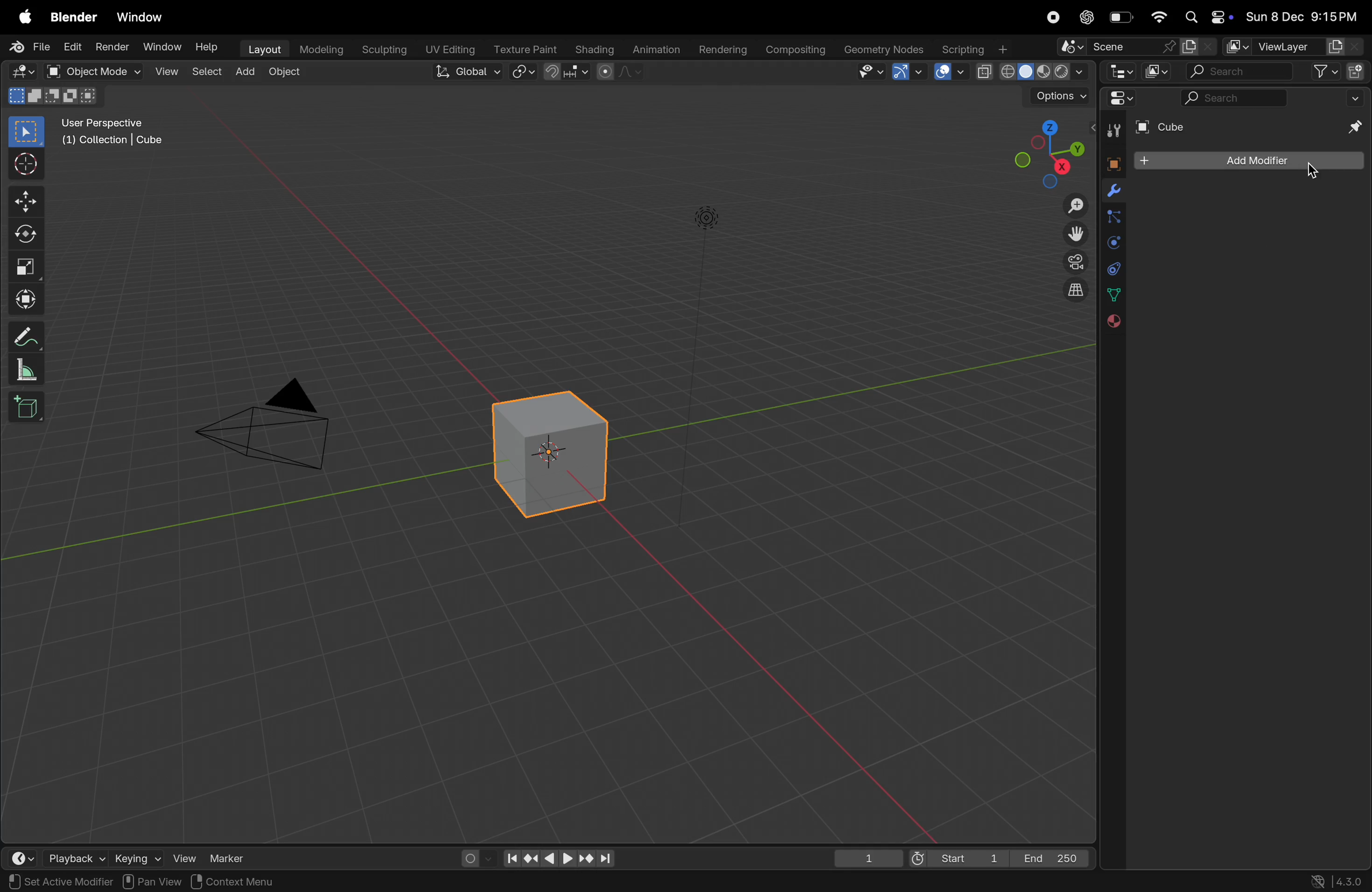 This screenshot has width=1372, height=892. What do you see at coordinates (111, 47) in the screenshot?
I see `render` at bounding box center [111, 47].